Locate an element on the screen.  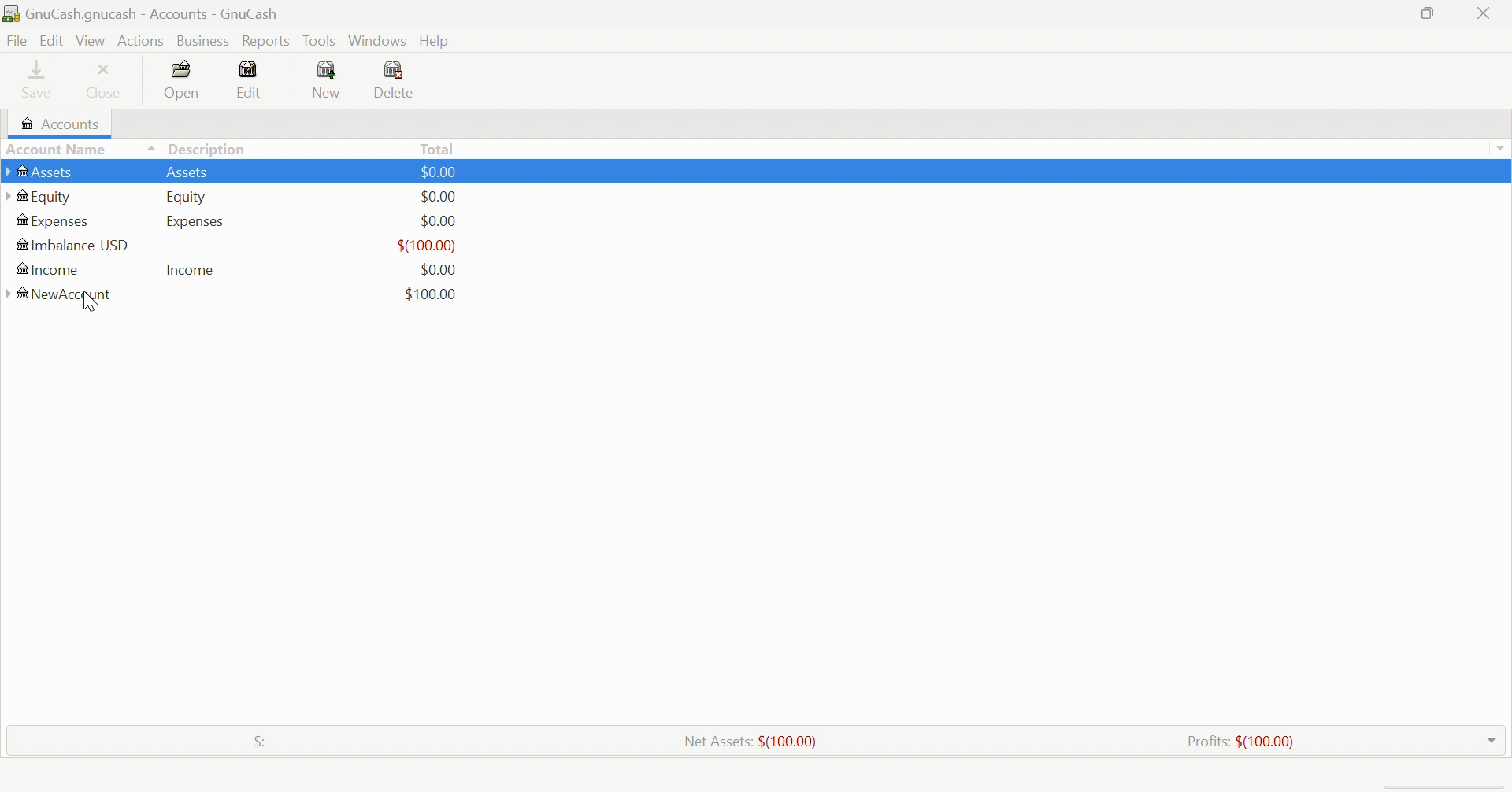
Windows is located at coordinates (376, 40).